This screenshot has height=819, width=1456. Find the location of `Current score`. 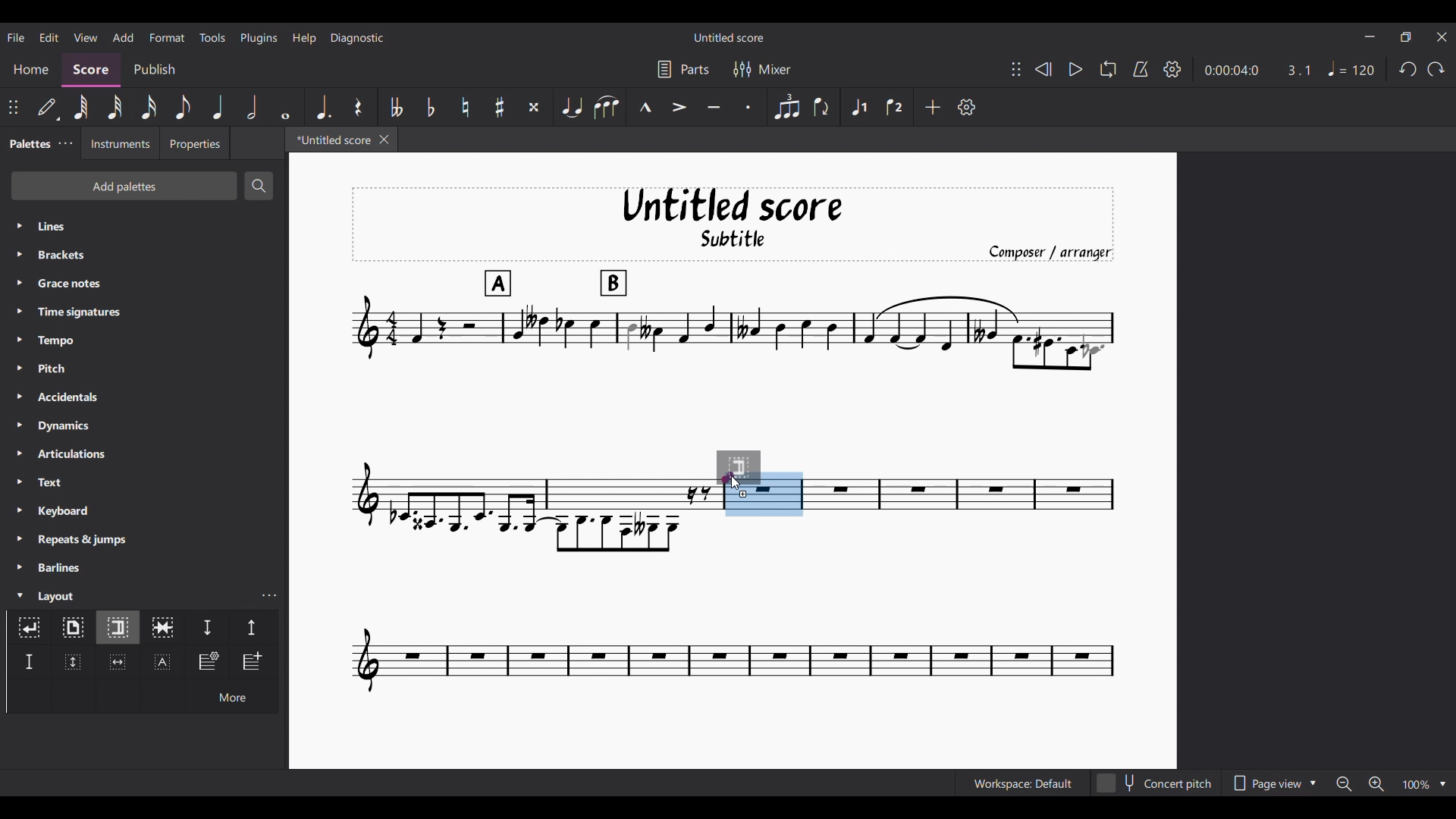

Current score is located at coordinates (733, 605).